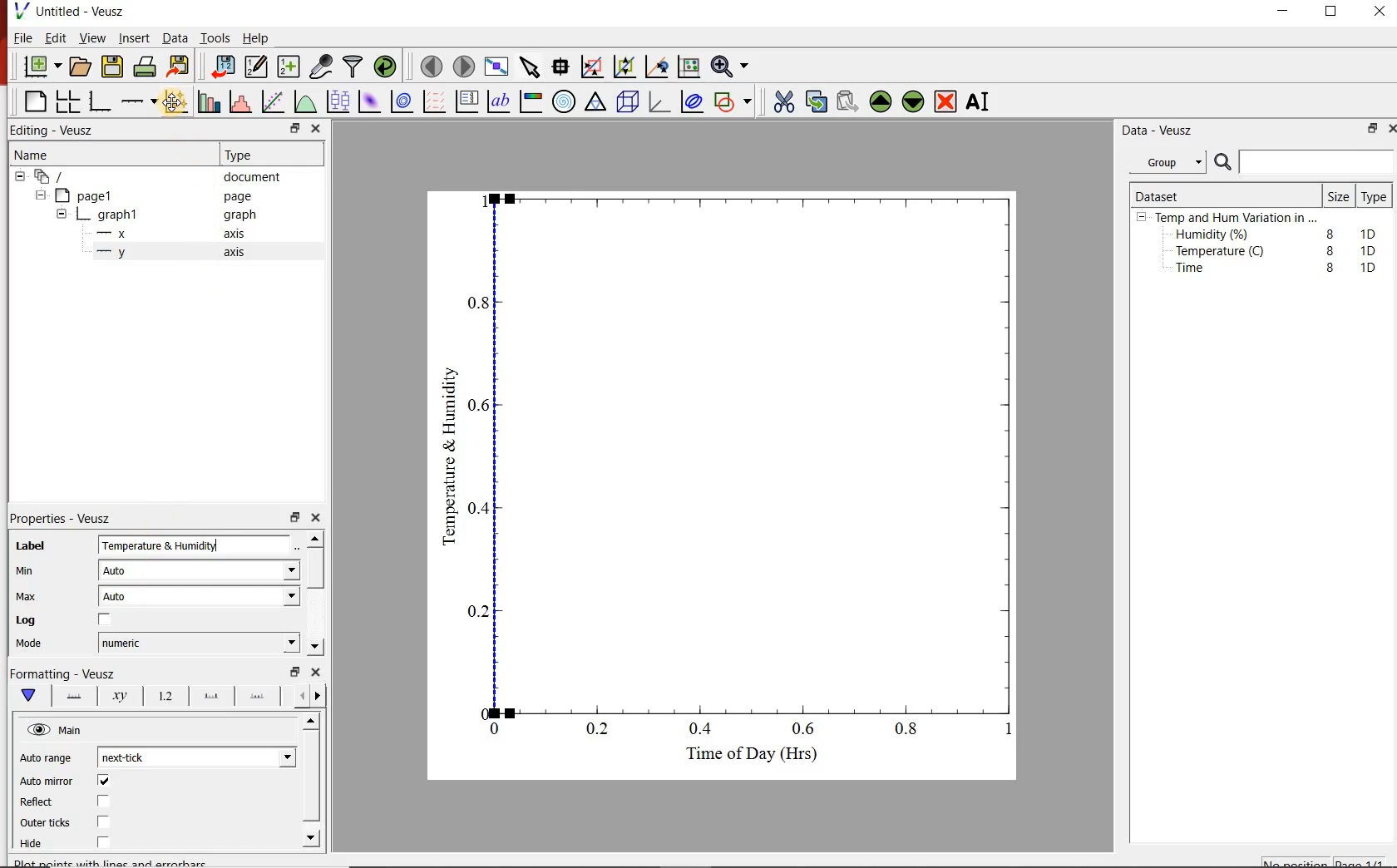 This screenshot has height=868, width=1397. I want to click on tick labels, so click(165, 696).